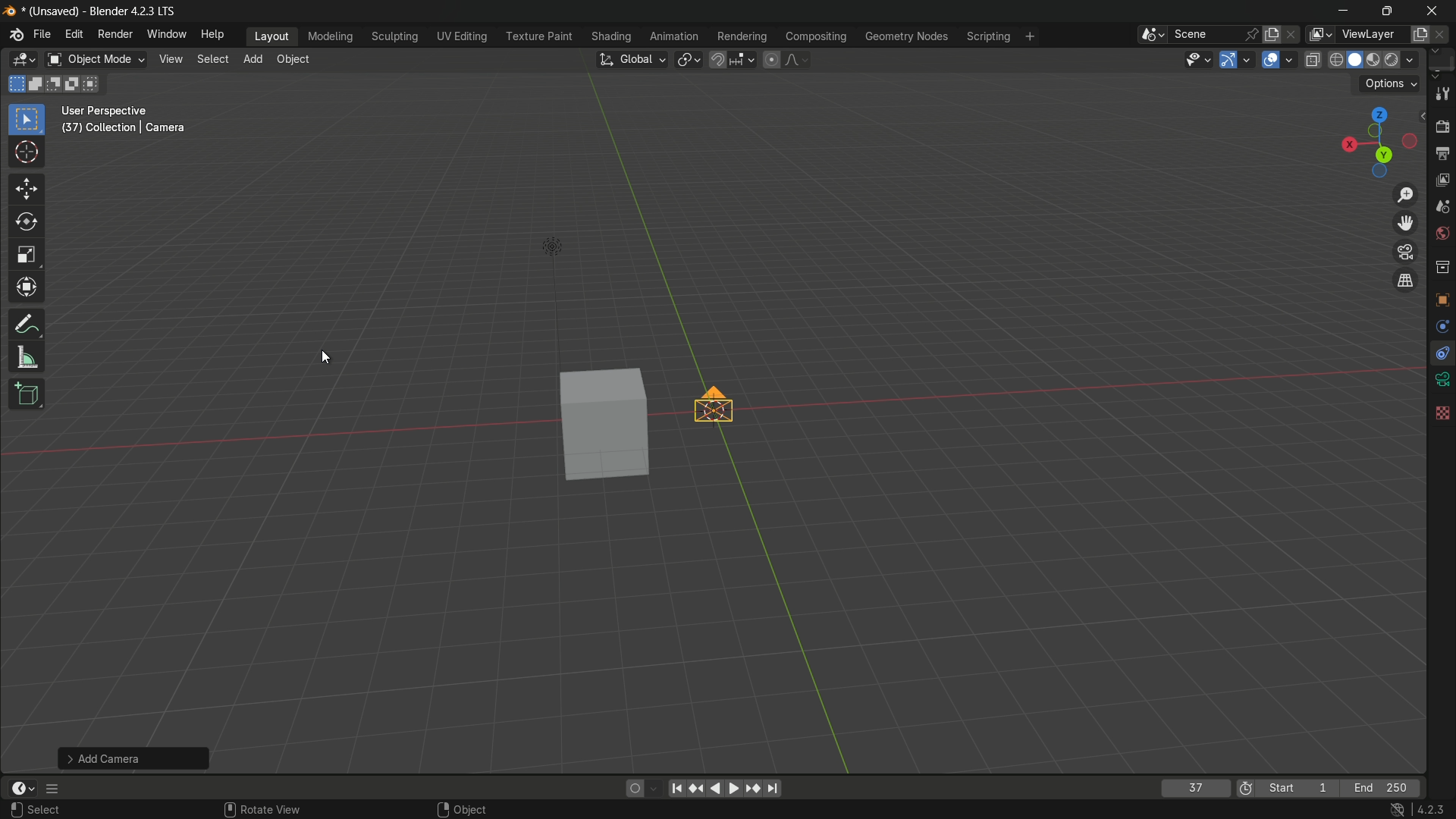 The height and width of the screenshot is (819, 1456). What do you see at coordinates (26, 188) in the screenshot?
I see `move` at bounding box center [26, 188].